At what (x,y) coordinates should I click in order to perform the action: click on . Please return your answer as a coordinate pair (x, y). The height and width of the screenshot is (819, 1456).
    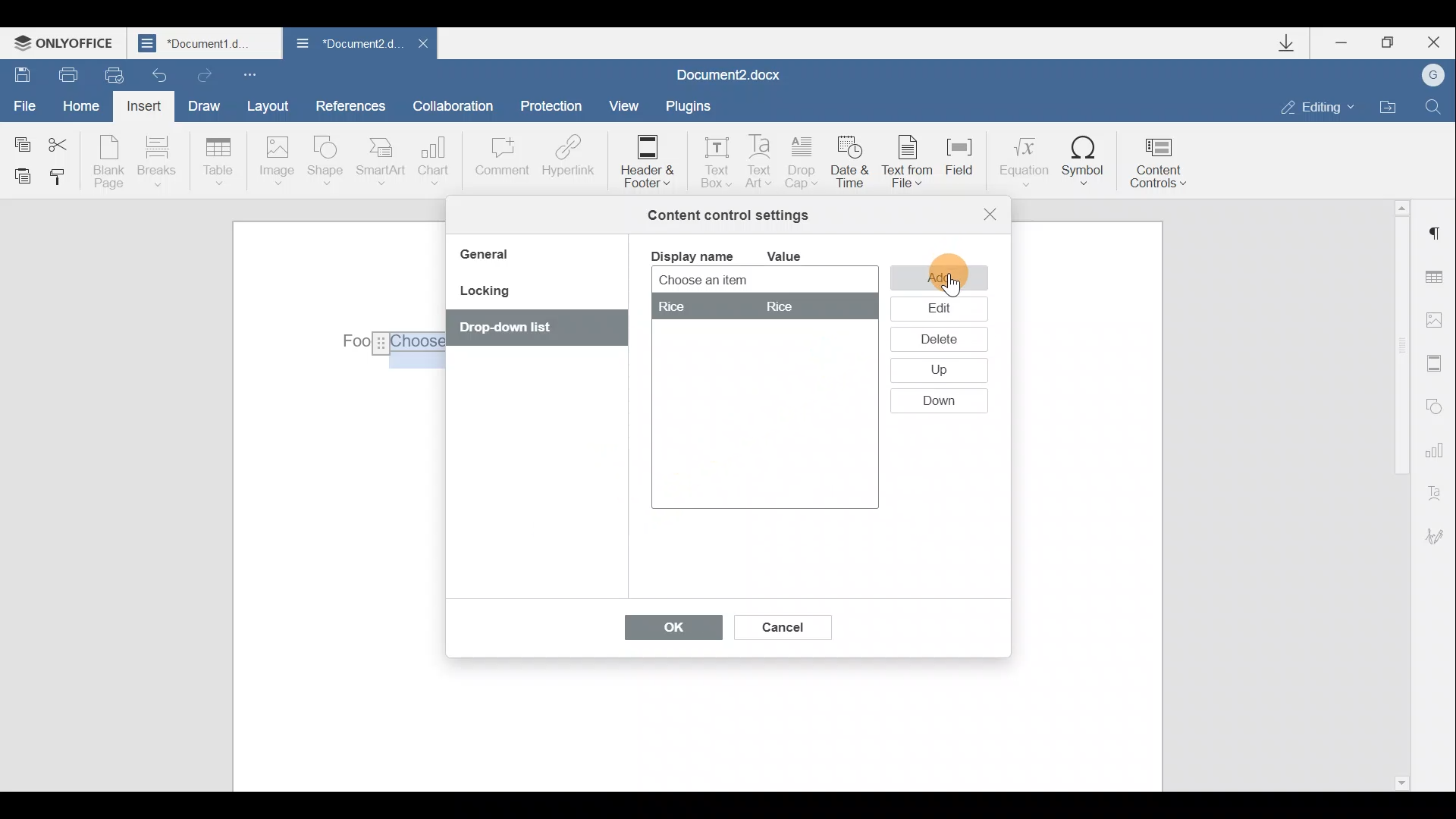
    Looking at the image, I should click on (780, 307).